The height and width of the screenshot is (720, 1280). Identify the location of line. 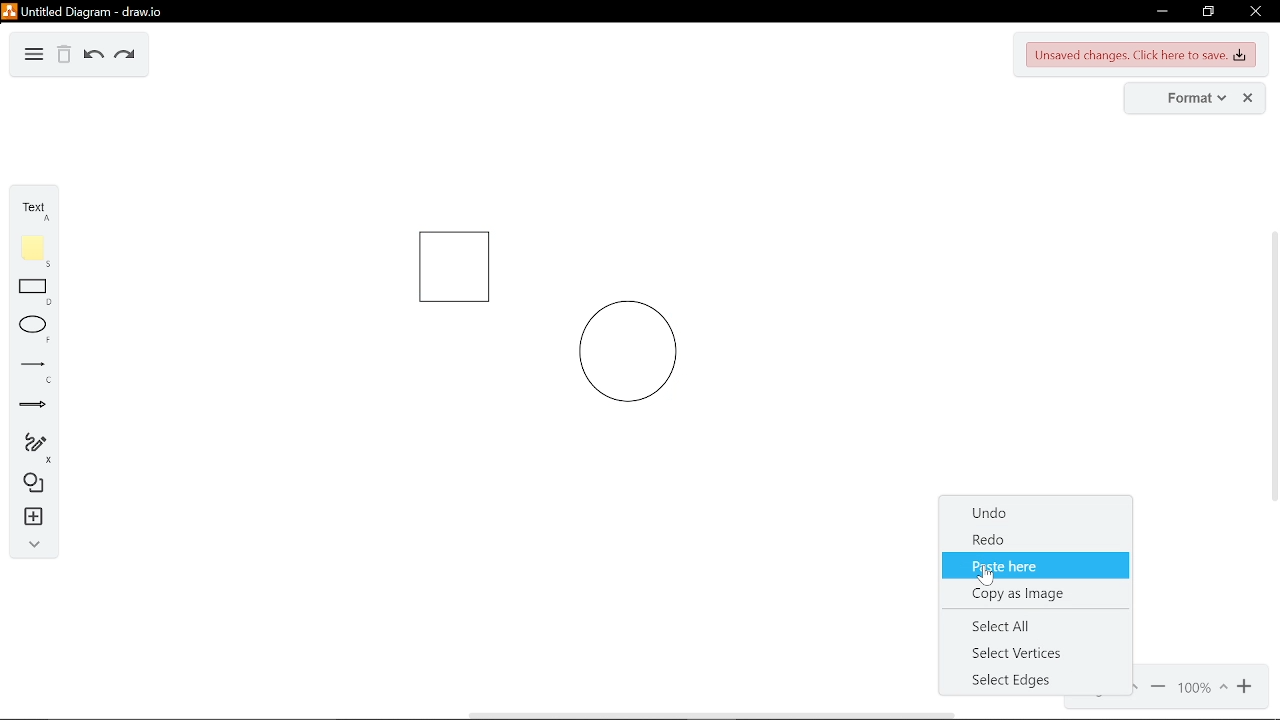
(32, 370).